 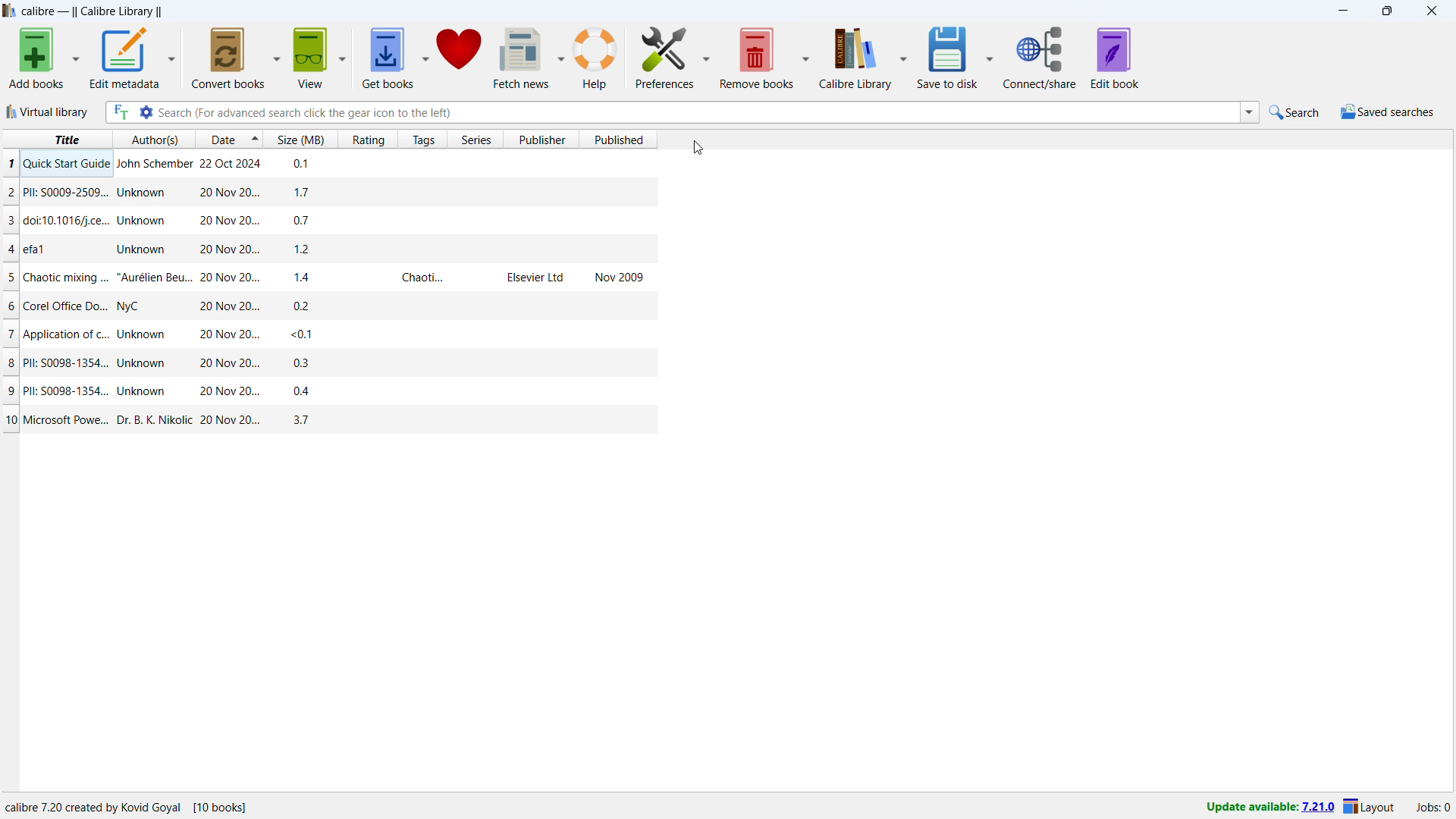 What do you see at coordinates (48, 112) in the screenshot?
I see `virtual library` at bounding box center [48, 112].